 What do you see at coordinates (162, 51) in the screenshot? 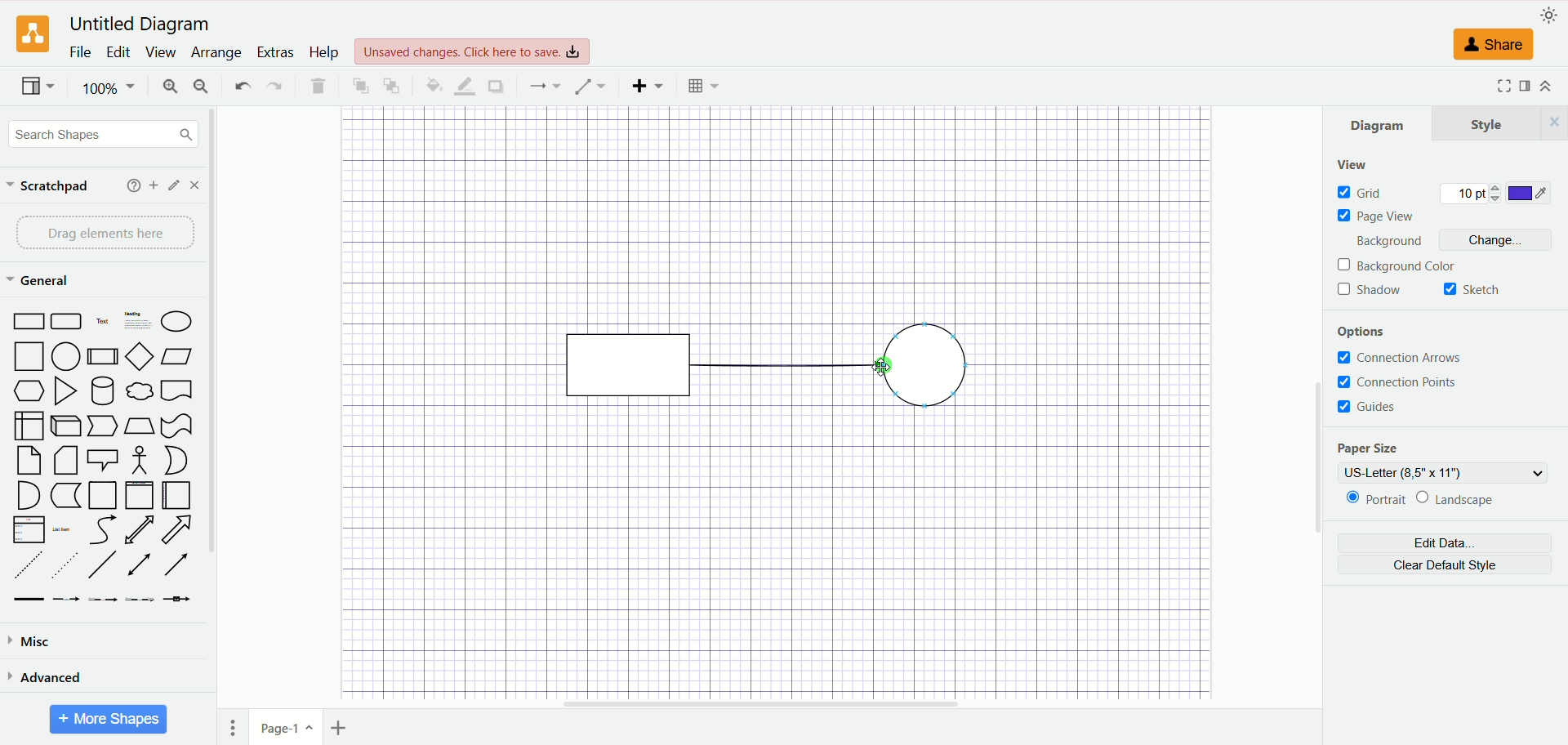
I see `view` at bounding box center [162, 51].